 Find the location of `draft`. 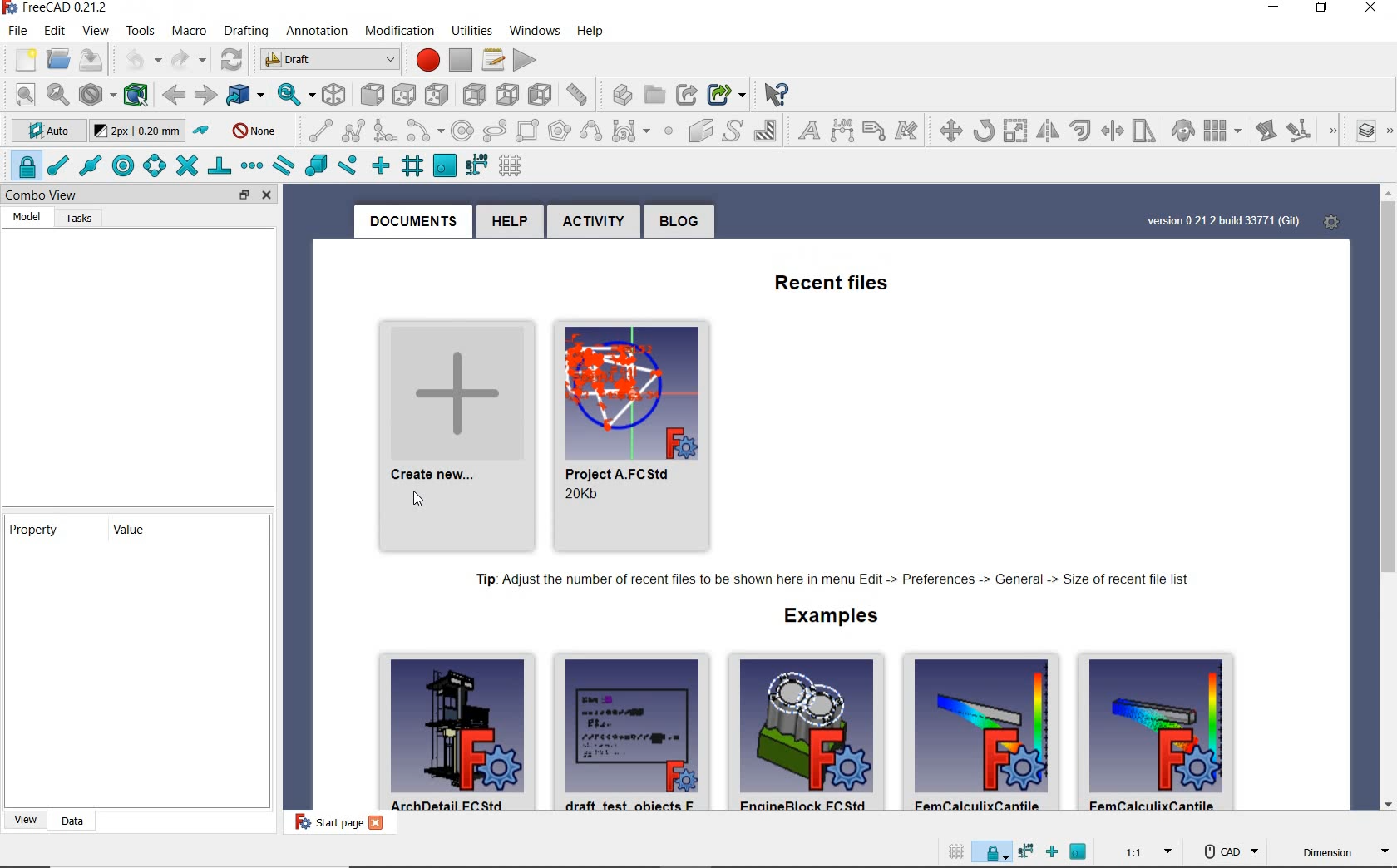

draft is located at coordinates (333, 60).